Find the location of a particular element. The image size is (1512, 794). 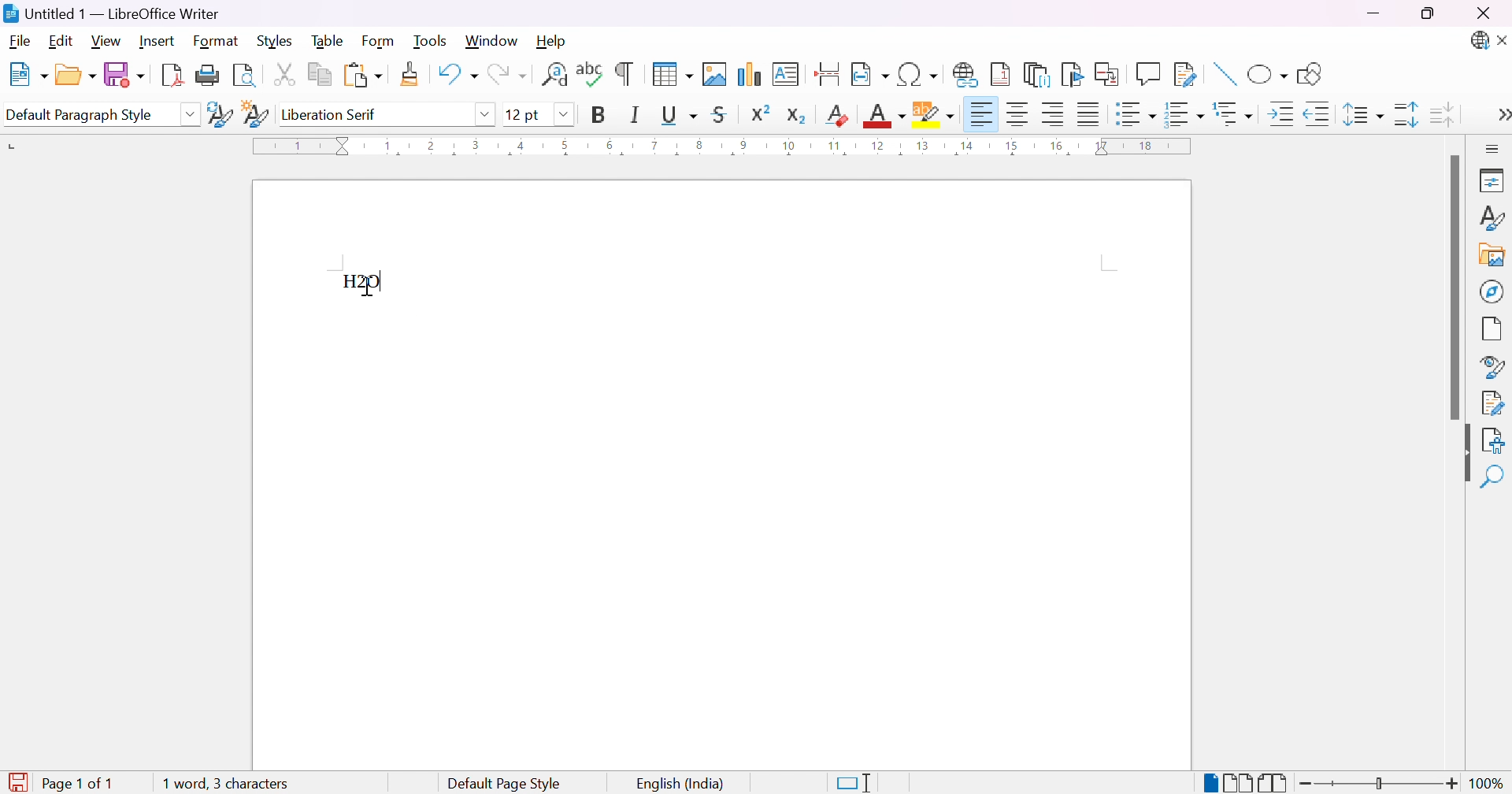

H2O is located at coordinates (360, 280).